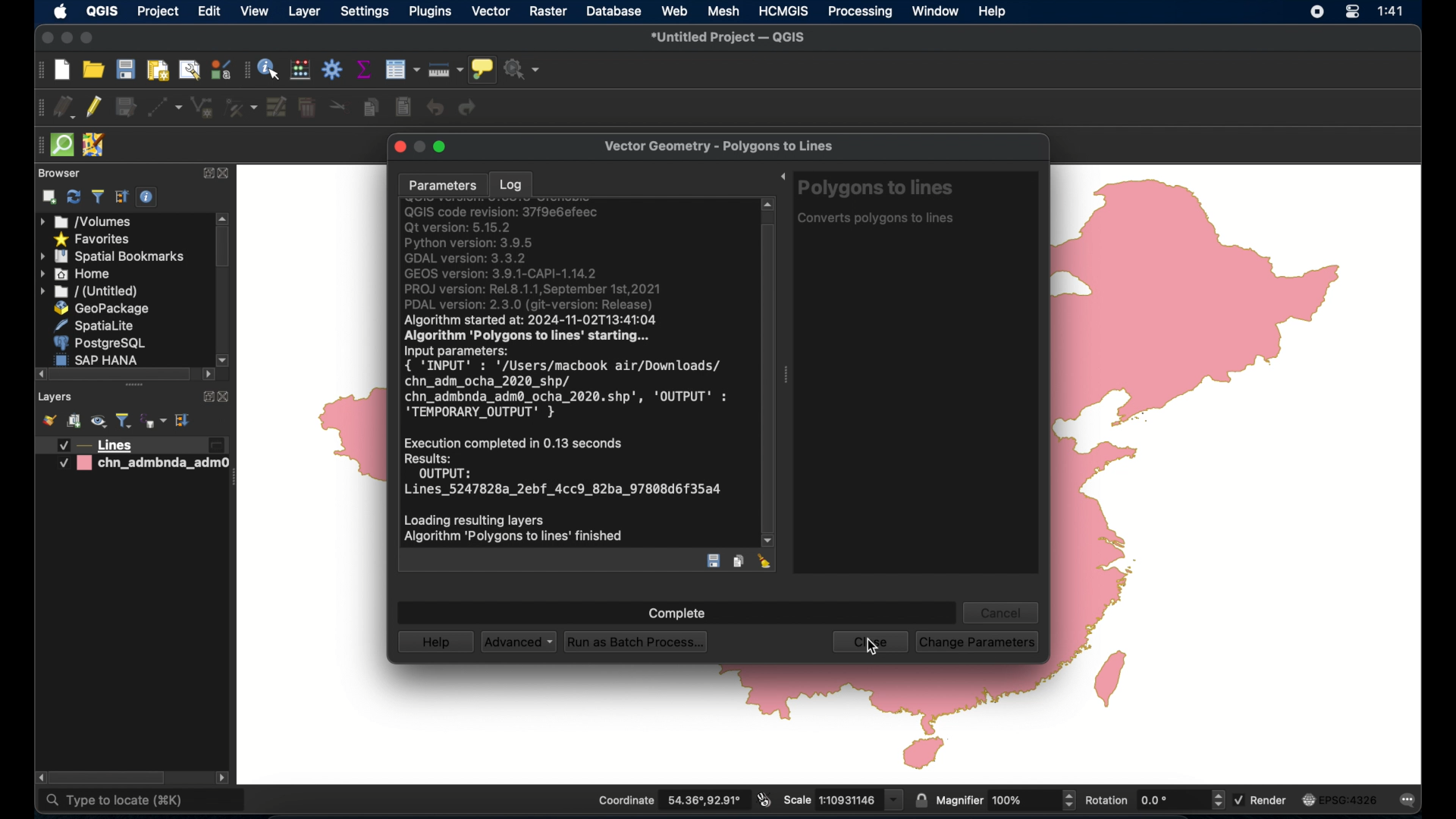  Describe the element at coordinates (446, 67) in the screenshot. I see `measure line` at that location.